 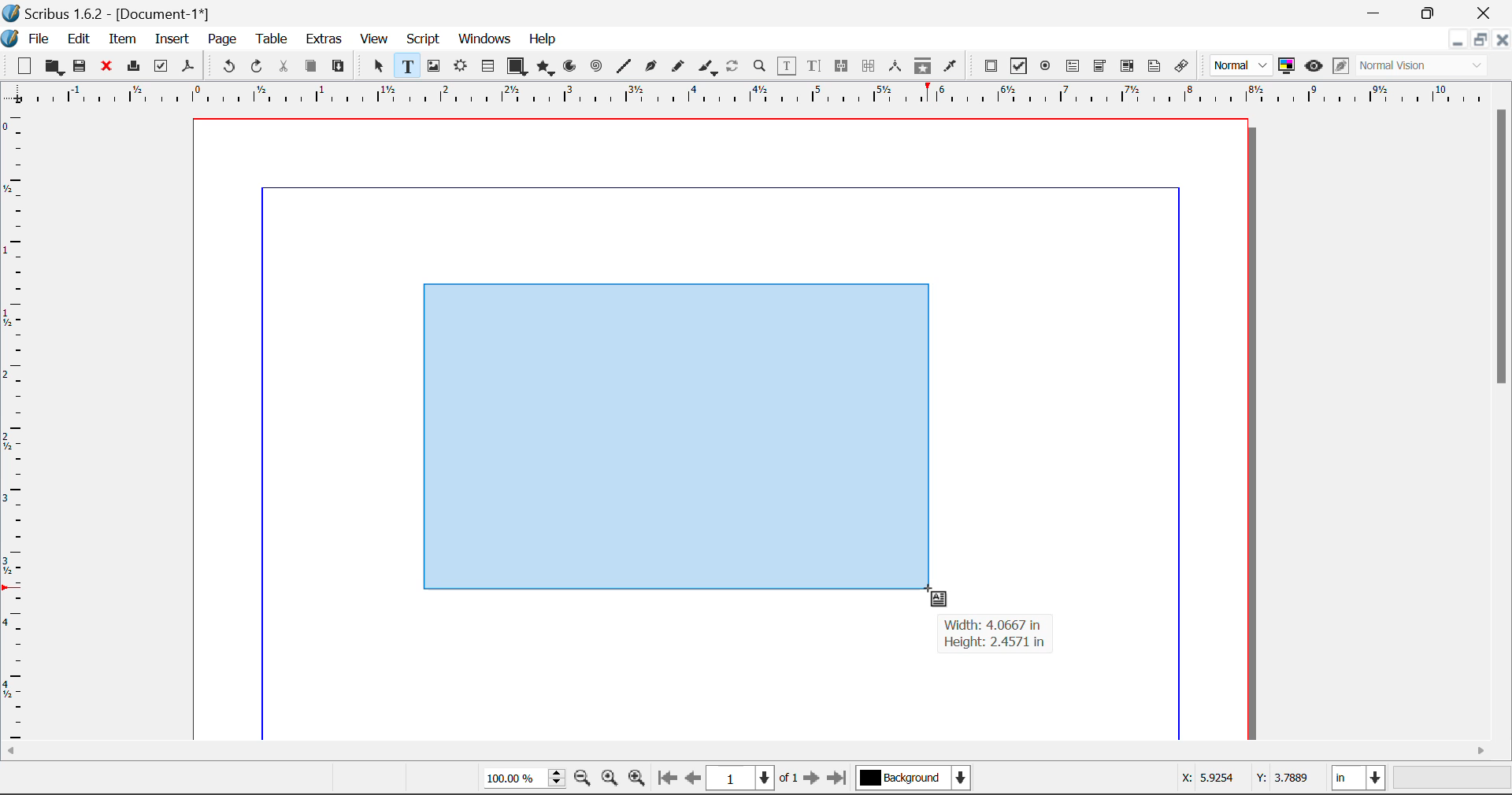 What do you see at coordinates (1019, 66) in the screenshot?
I see `Pdf Checkbox` at bounding box center [1019, 66].